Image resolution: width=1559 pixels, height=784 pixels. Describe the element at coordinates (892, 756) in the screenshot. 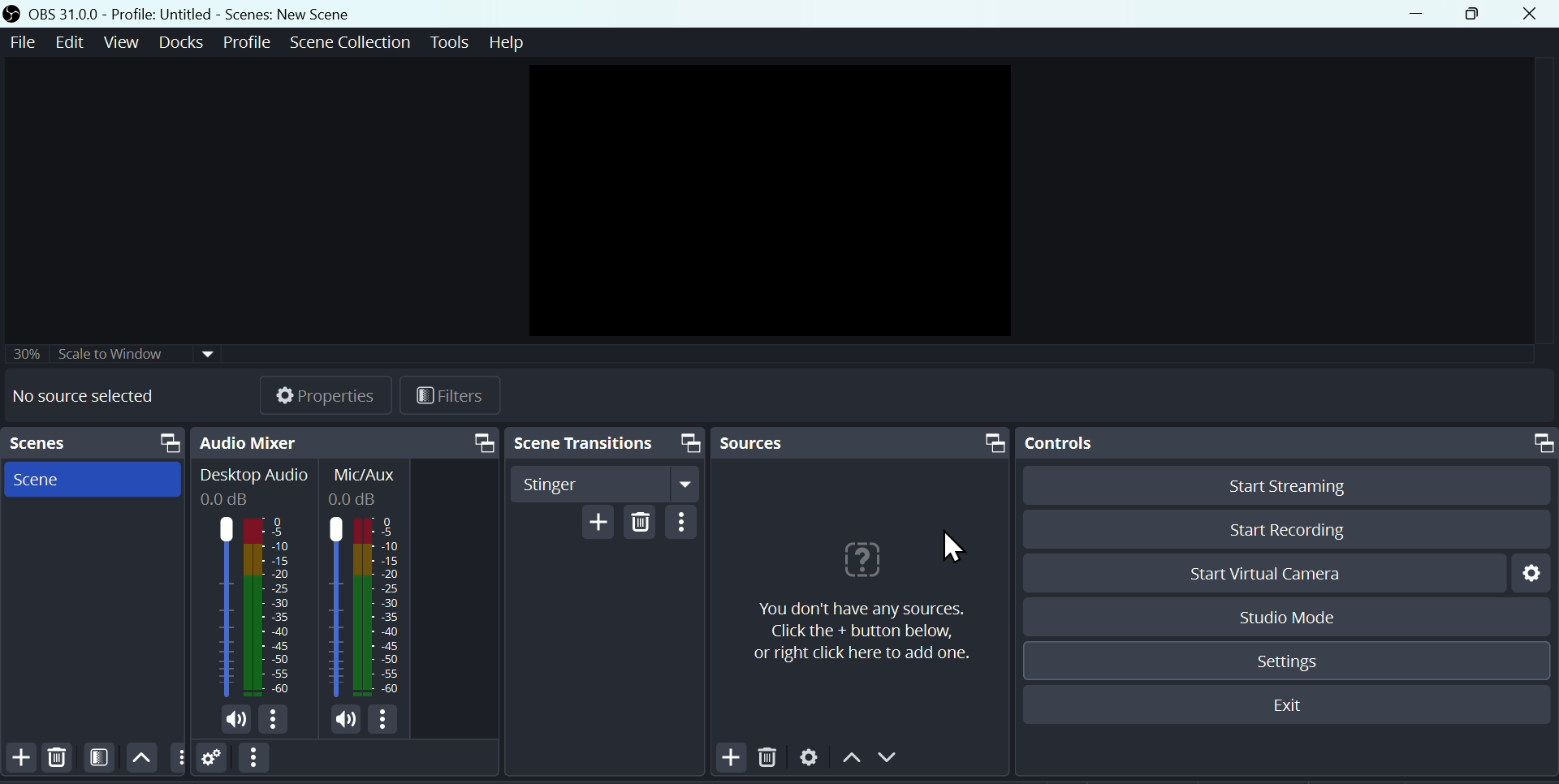

I see `Down` at that location.